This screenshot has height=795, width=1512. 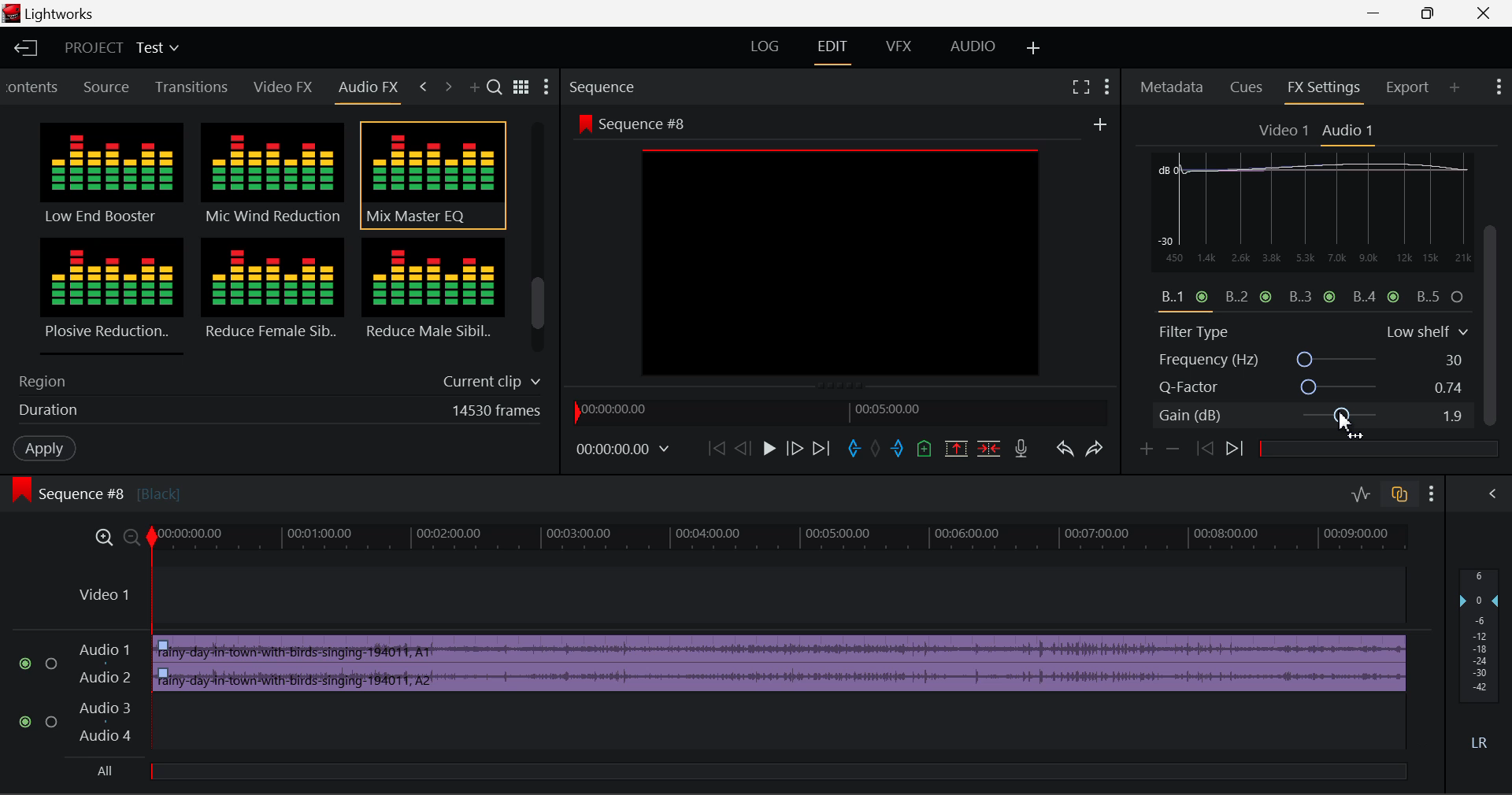 What do you see at coordinates (1476, 13) in the screenshot?
I see `Close` at bounding box center [1476, 13].